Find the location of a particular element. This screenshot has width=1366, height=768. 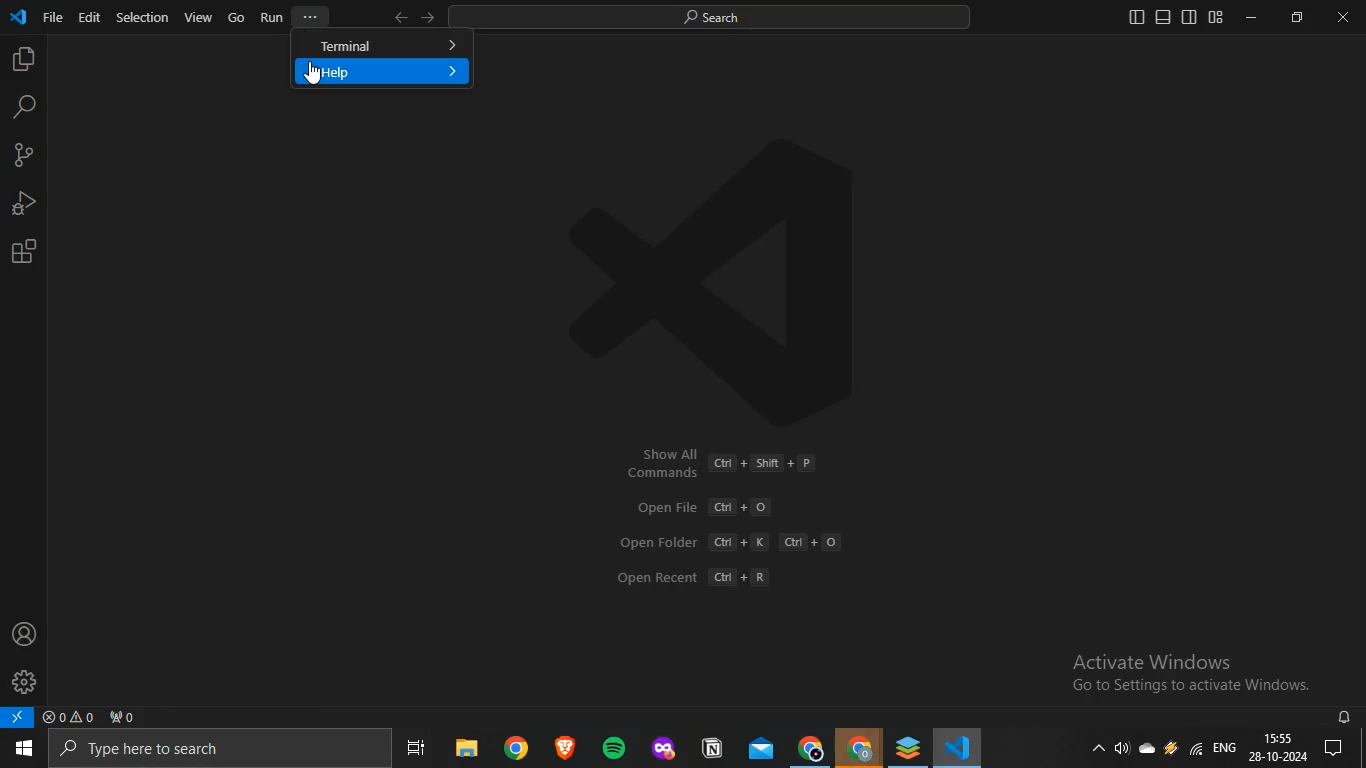

Open Recent Ctrl + R is located at coordinates (697, 577).